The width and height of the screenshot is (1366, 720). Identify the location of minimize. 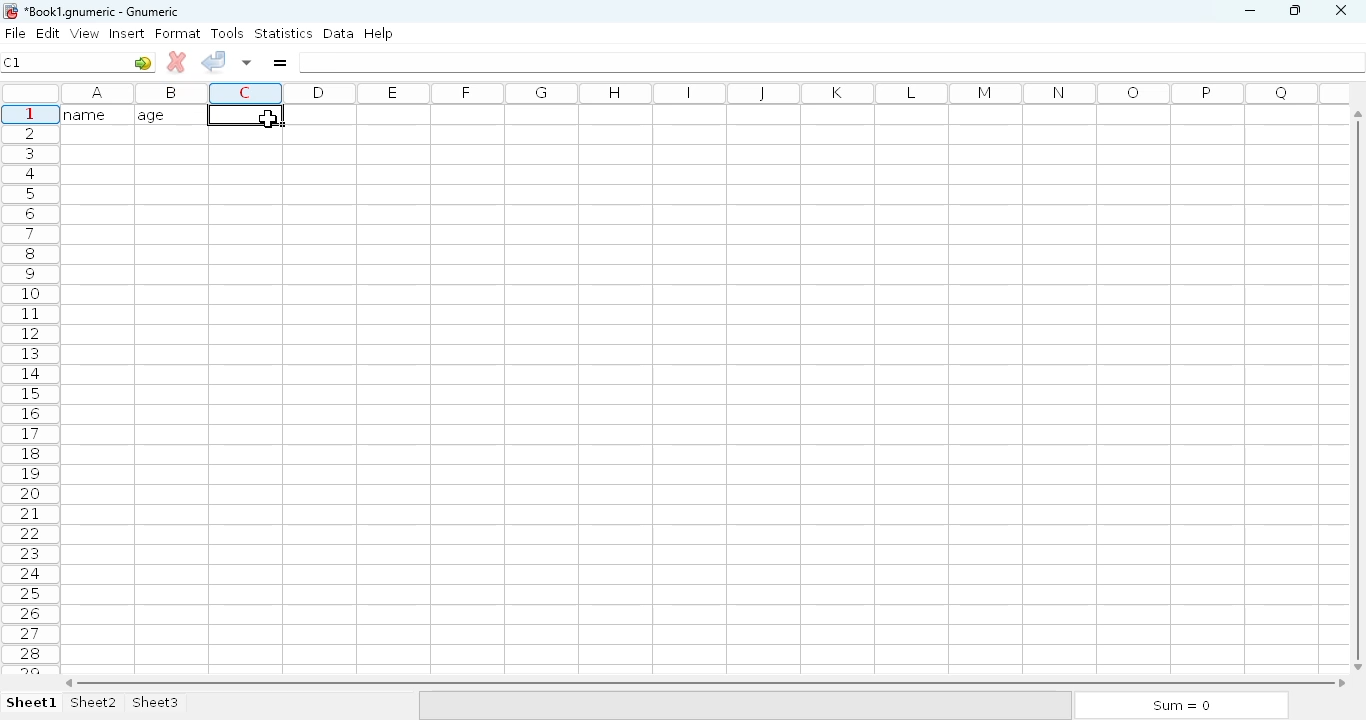
(1249, 11).